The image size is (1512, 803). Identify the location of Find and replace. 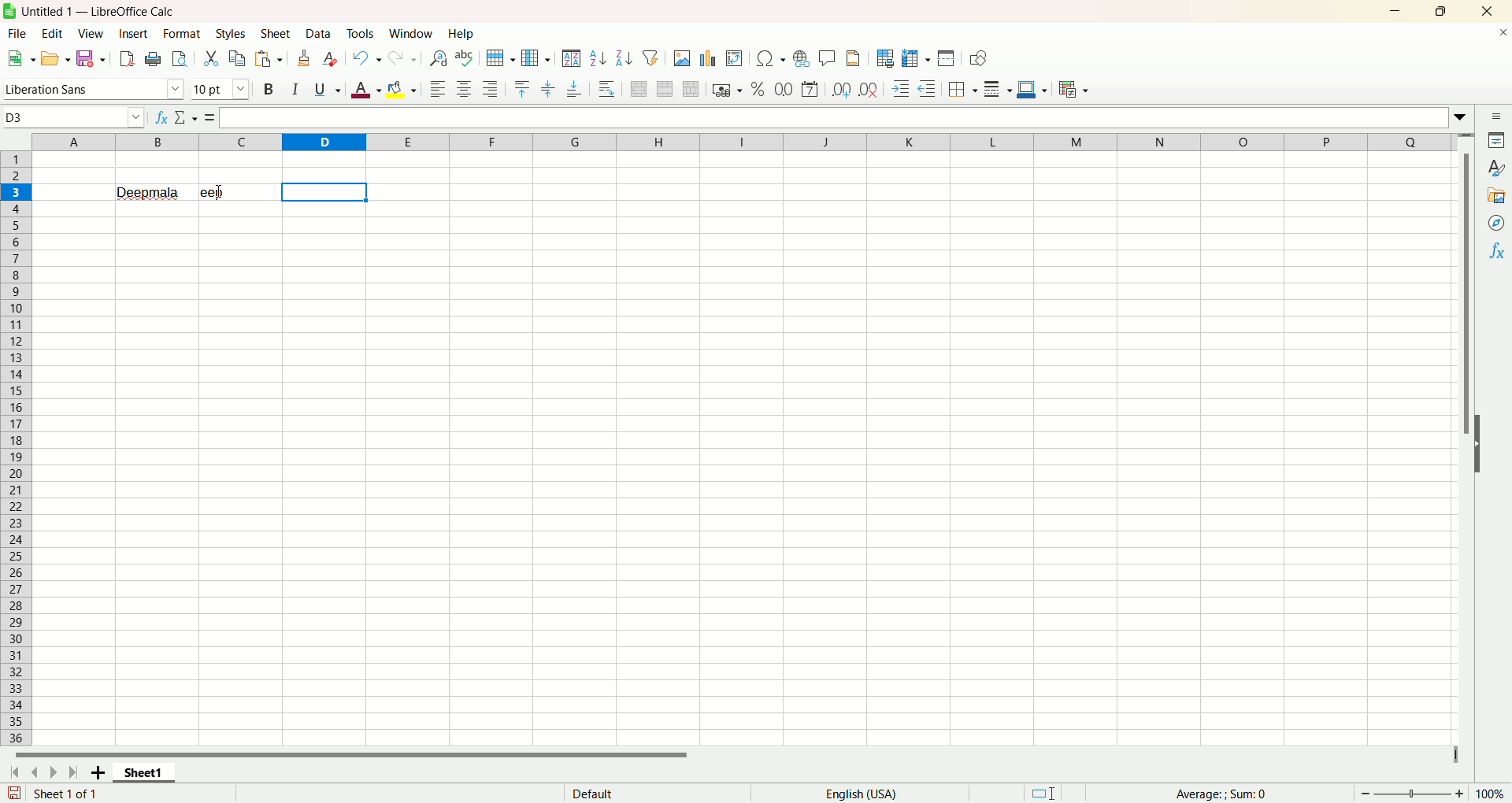
(439, 58).